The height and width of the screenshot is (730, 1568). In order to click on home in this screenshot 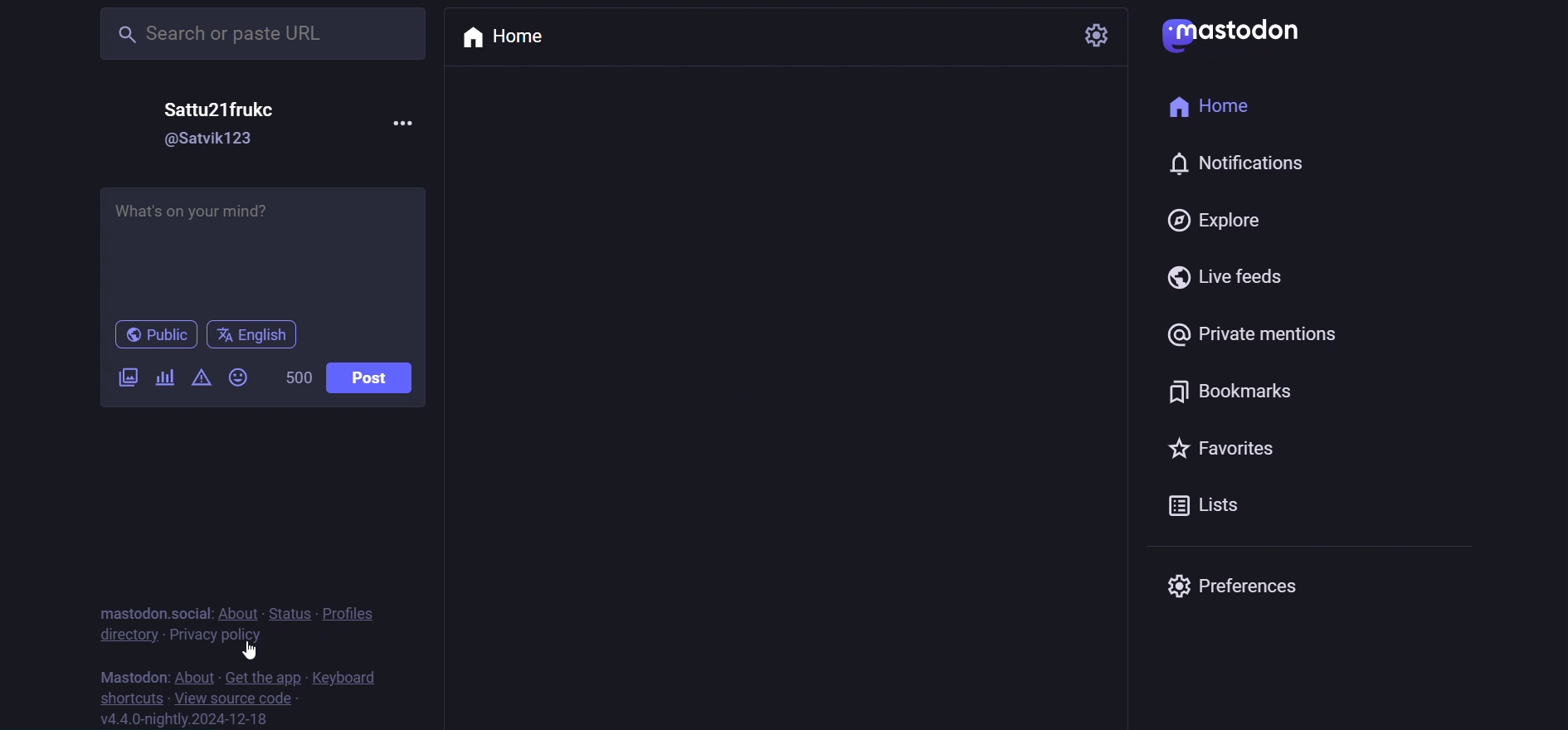, I will do `click(1222, 110)`.